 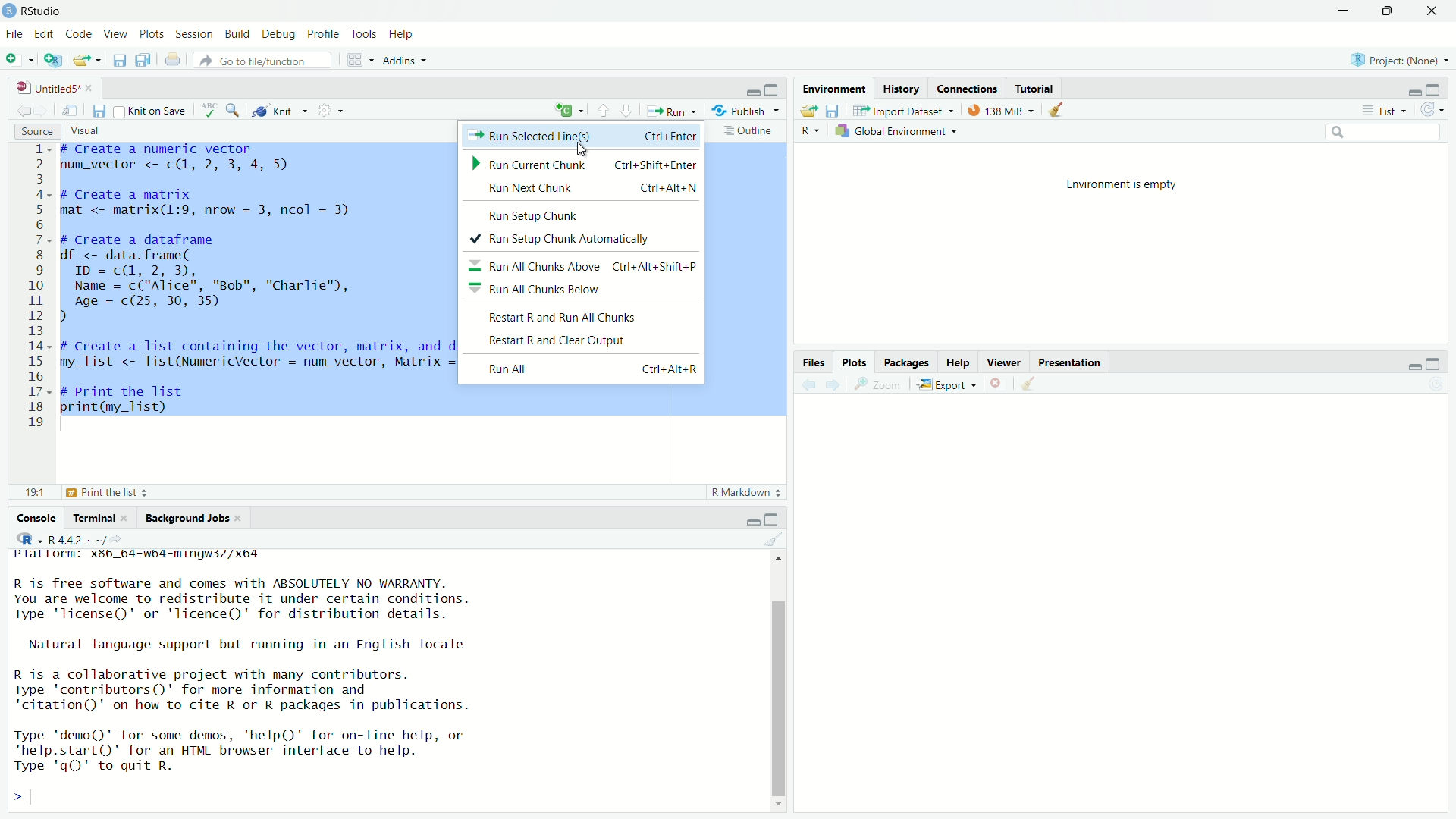 I want to click on List ~, so click(x=1386, y=110).